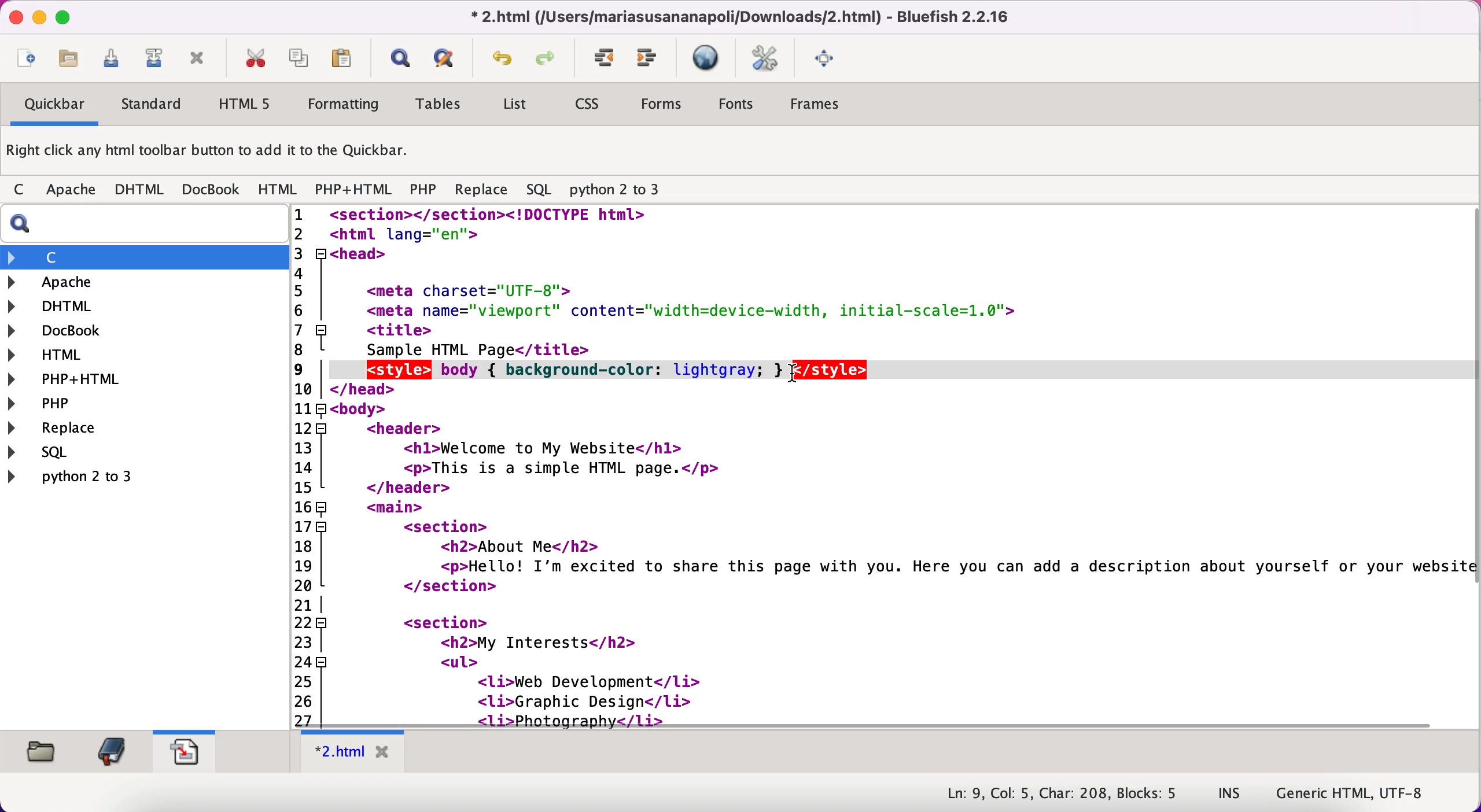 This screenshot has width=1481, height=812. I want to click on php, so click(423, 191).